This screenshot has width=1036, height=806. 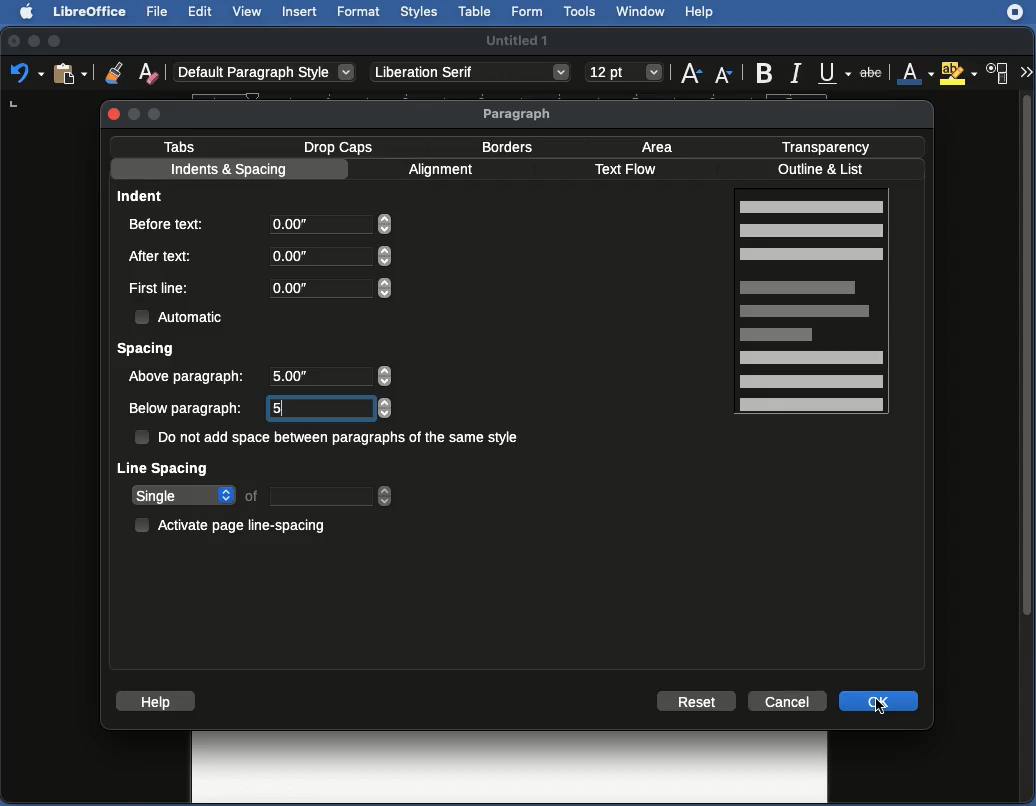 What do you see at coordinates (662, 146) in the screenshot?
I see `Area` at bounding box center [662, 146].